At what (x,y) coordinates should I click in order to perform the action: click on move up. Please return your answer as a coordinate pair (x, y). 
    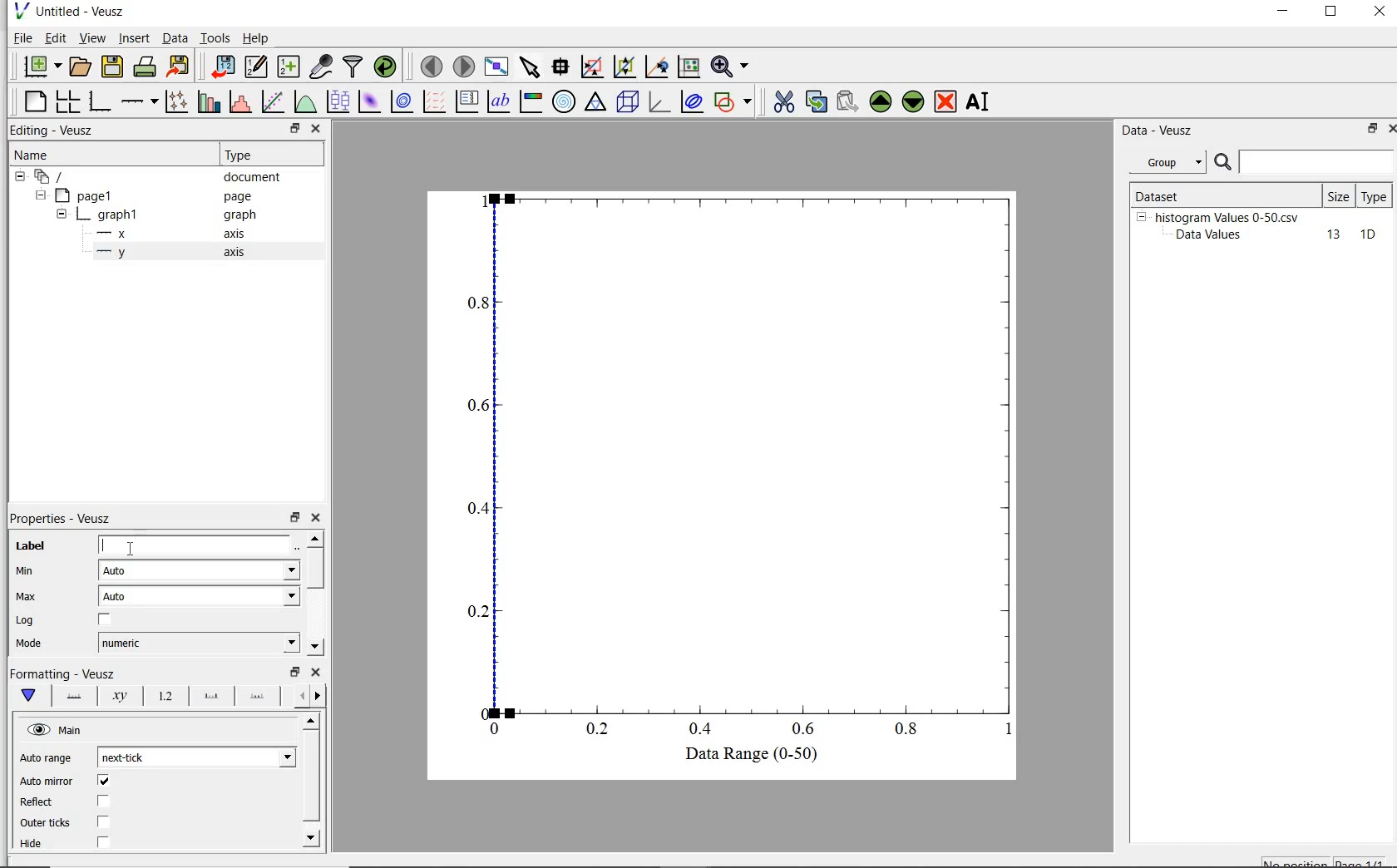
    Looking at the image, I should click on (314, 538).